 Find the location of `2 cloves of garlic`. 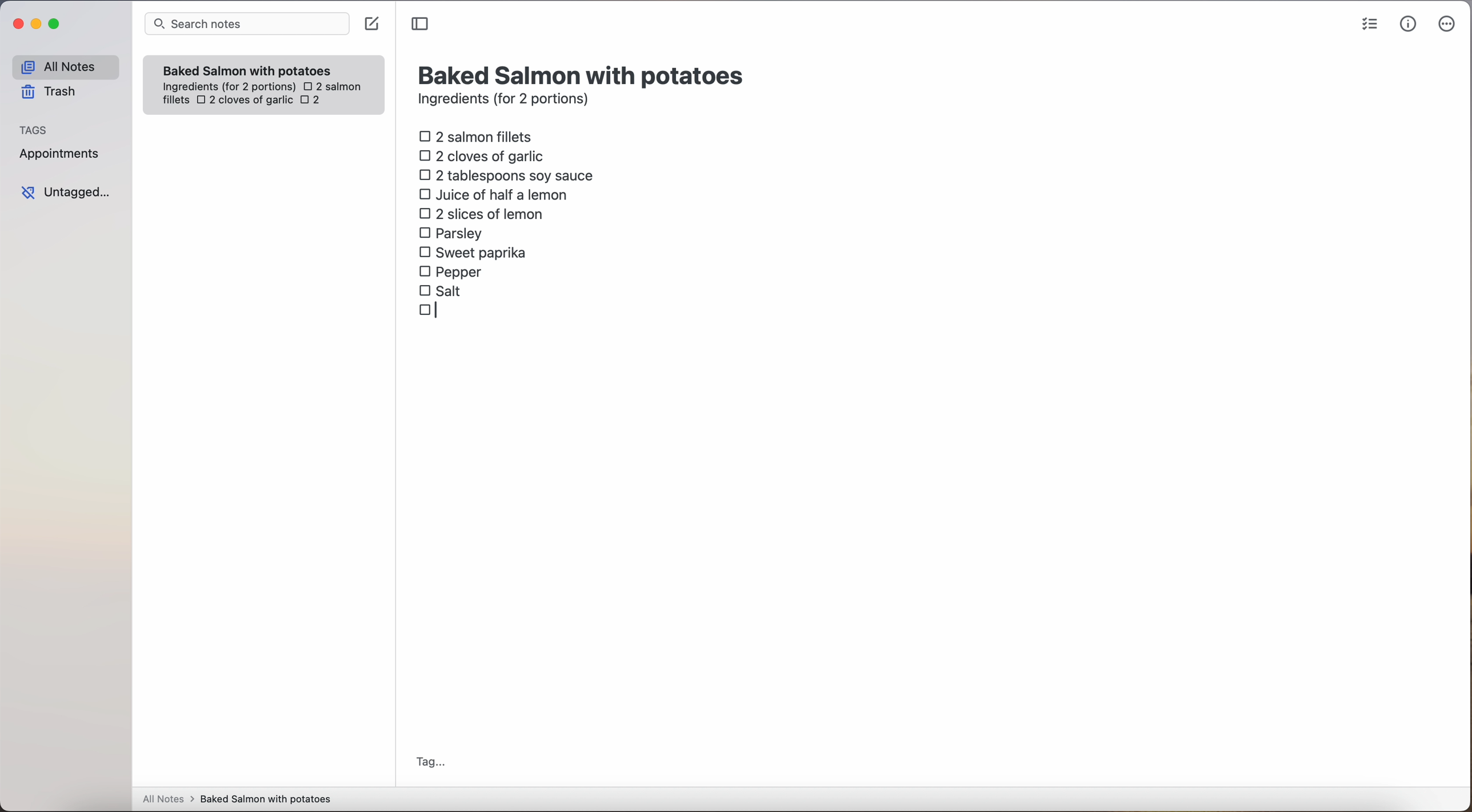

2 cloves of garlic is located at coordinates (245, 101).